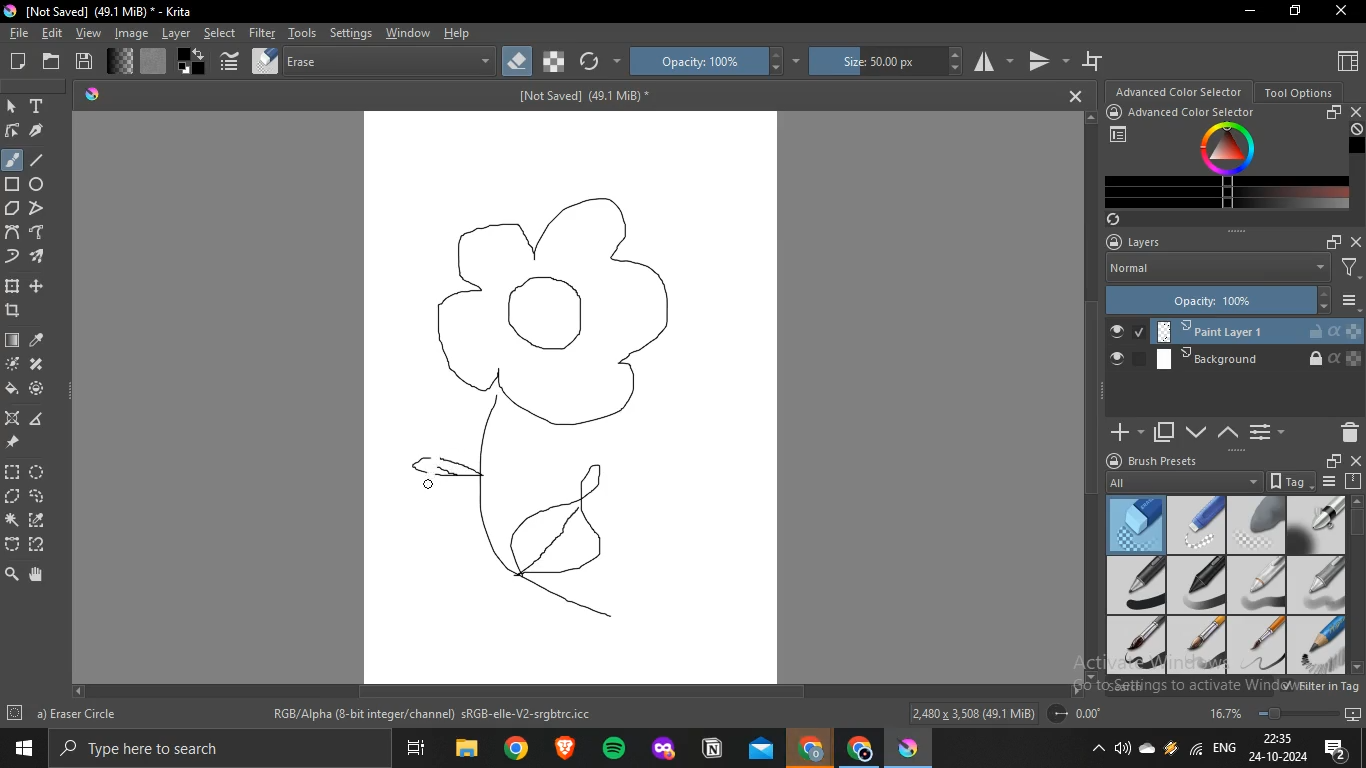 This screenshot has height=768, width=1366. What do you see at coordinates (37, 573) in the screenshot?
I see `pan tool` at bounding box center [37, 573].